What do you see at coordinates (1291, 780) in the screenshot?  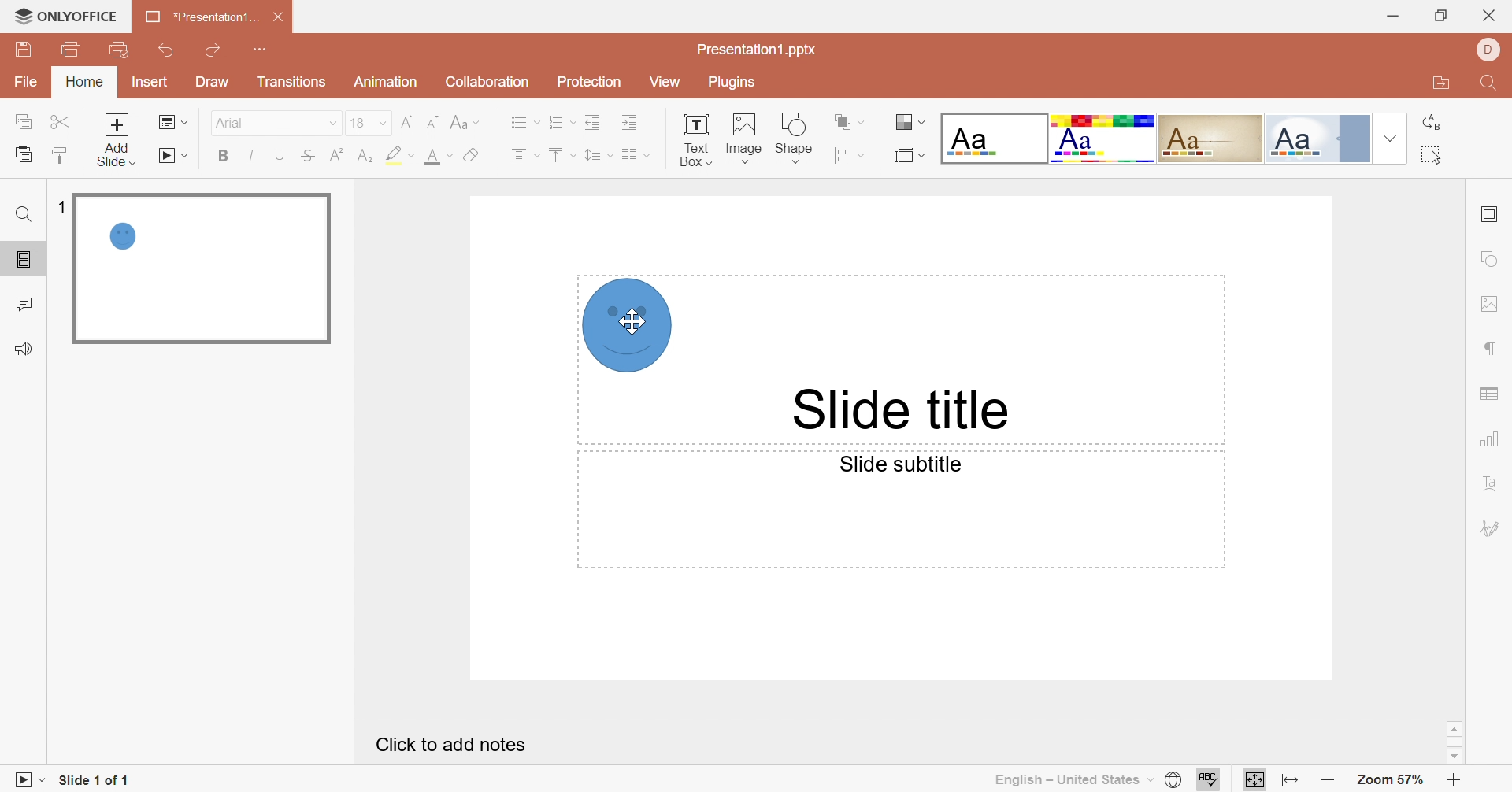 I see `Fit to width` at bounding box center [1291, 780].